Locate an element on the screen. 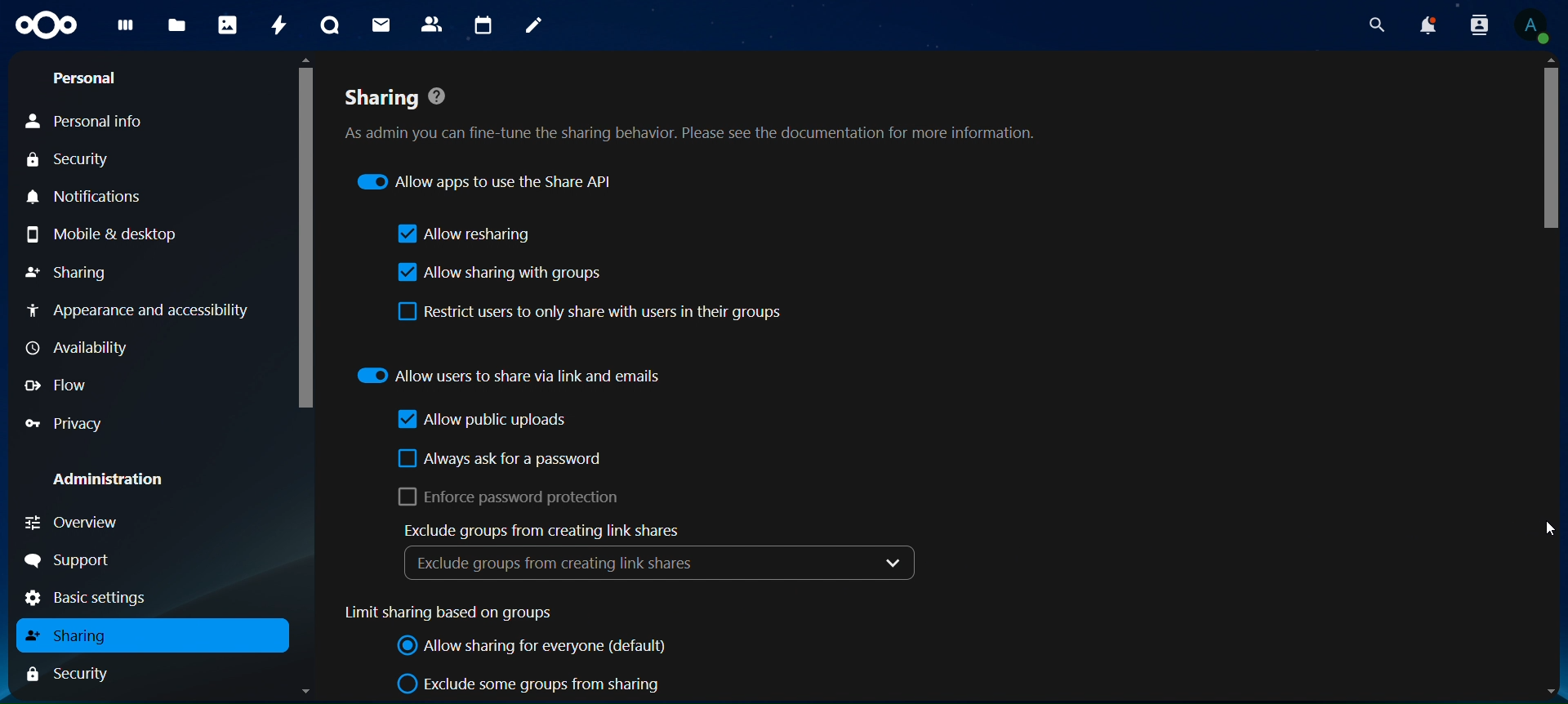 Image resolution: width=1568 pixels, height=704 pixels. files is located at coordinates (178, 27).